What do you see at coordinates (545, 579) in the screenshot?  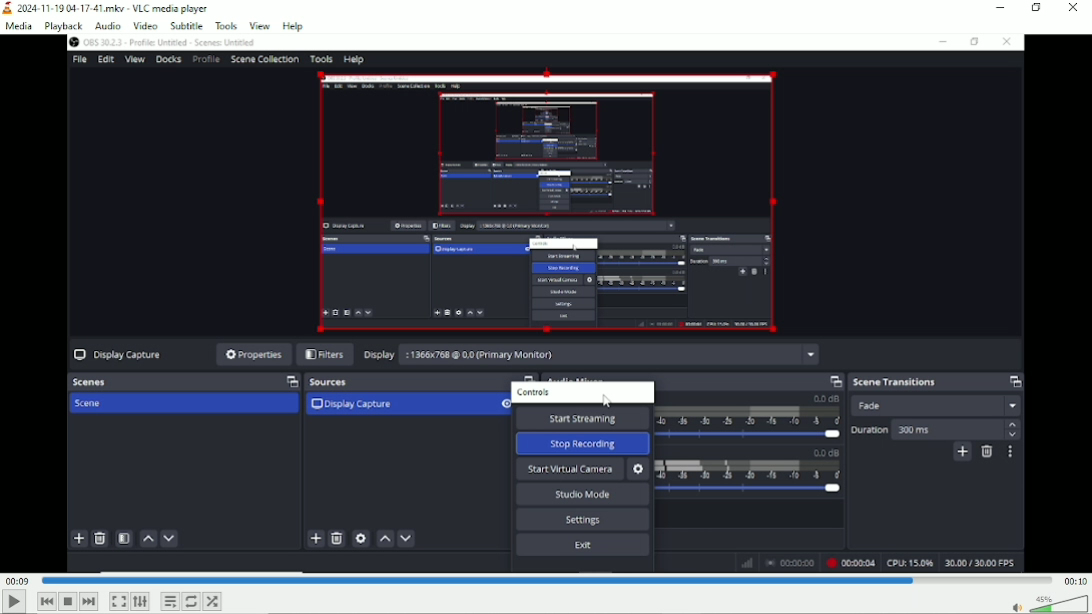 I see `Play duration` at bounding box center [545, 579].